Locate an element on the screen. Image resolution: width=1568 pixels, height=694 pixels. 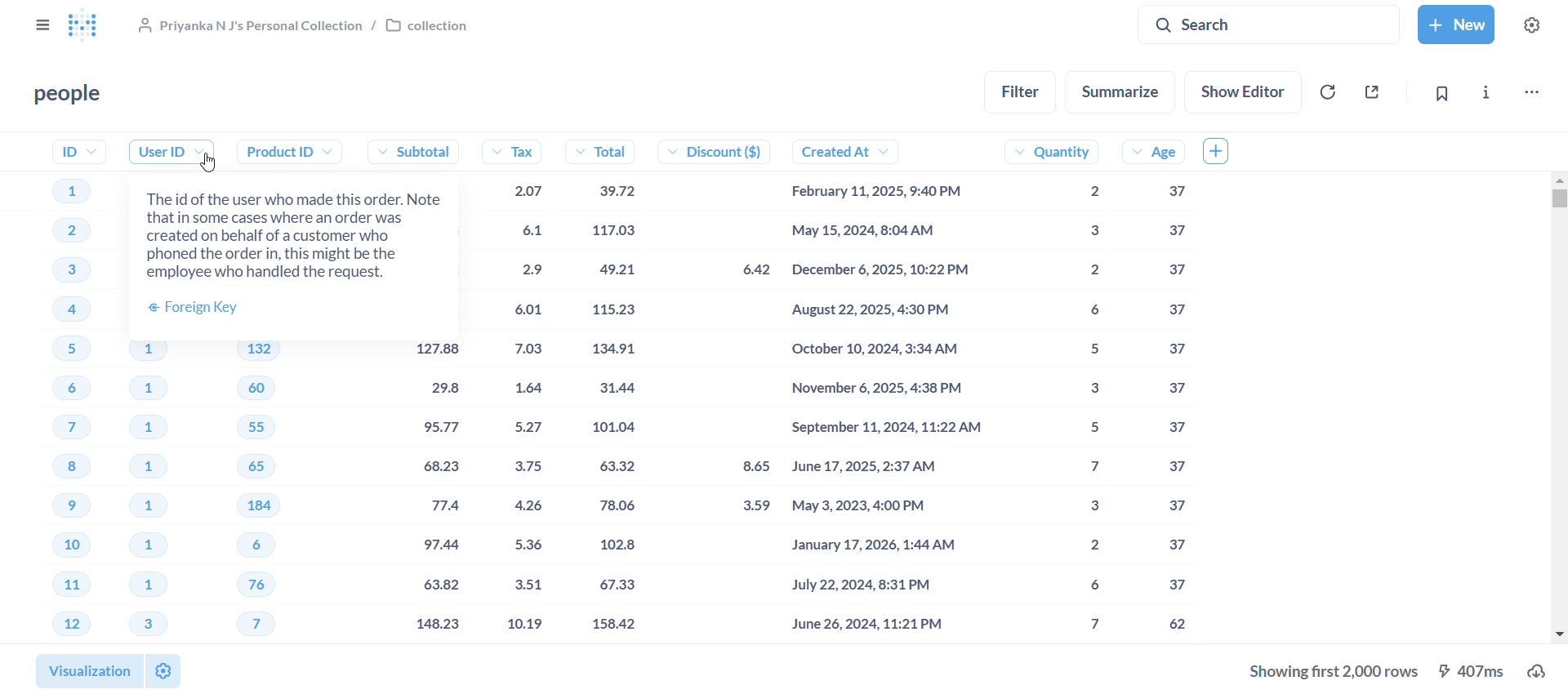
user ID's is located at coordinates (167, 387).